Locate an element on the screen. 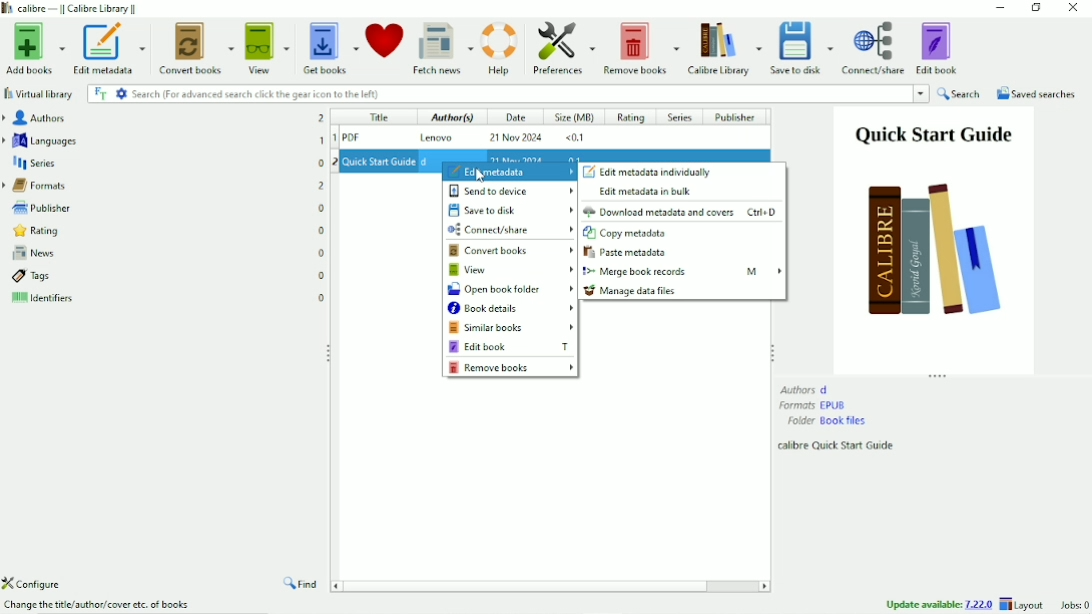 This screenshot has height=614, width=1092. Save to disk is located at coordinates (512, 210).